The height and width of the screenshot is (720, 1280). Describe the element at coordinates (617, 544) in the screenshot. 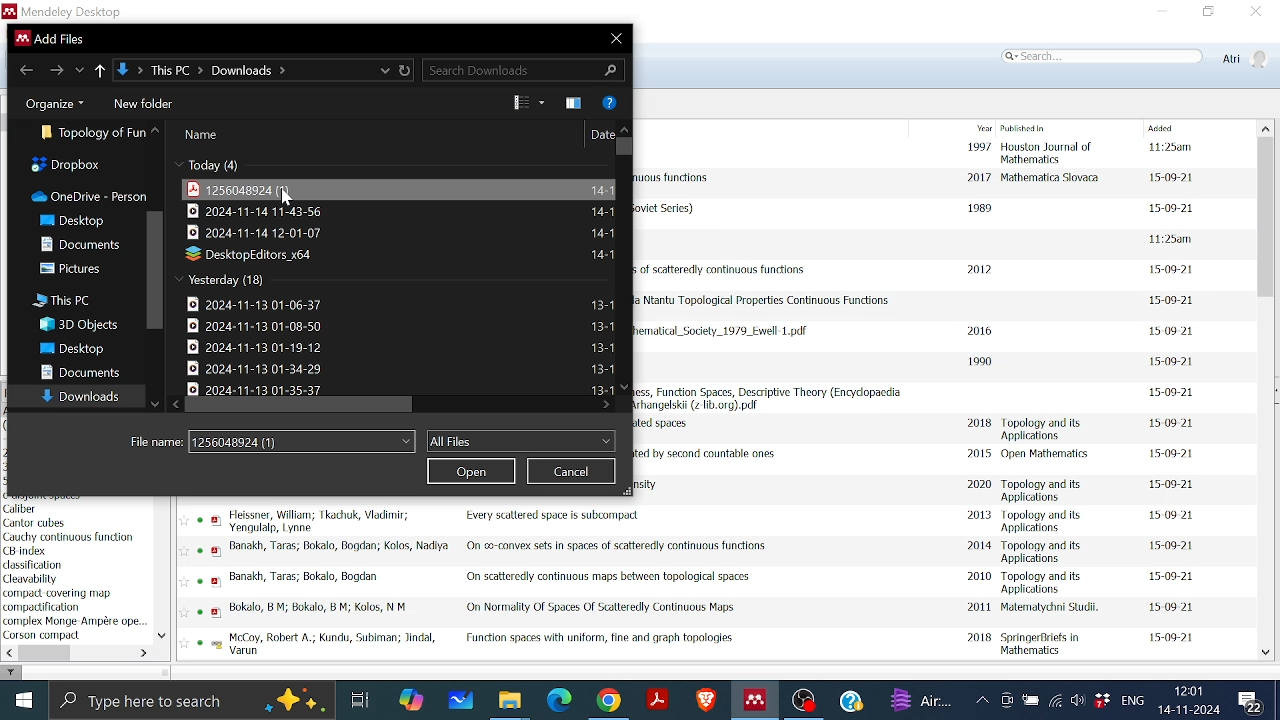

I see `Title` at that location.